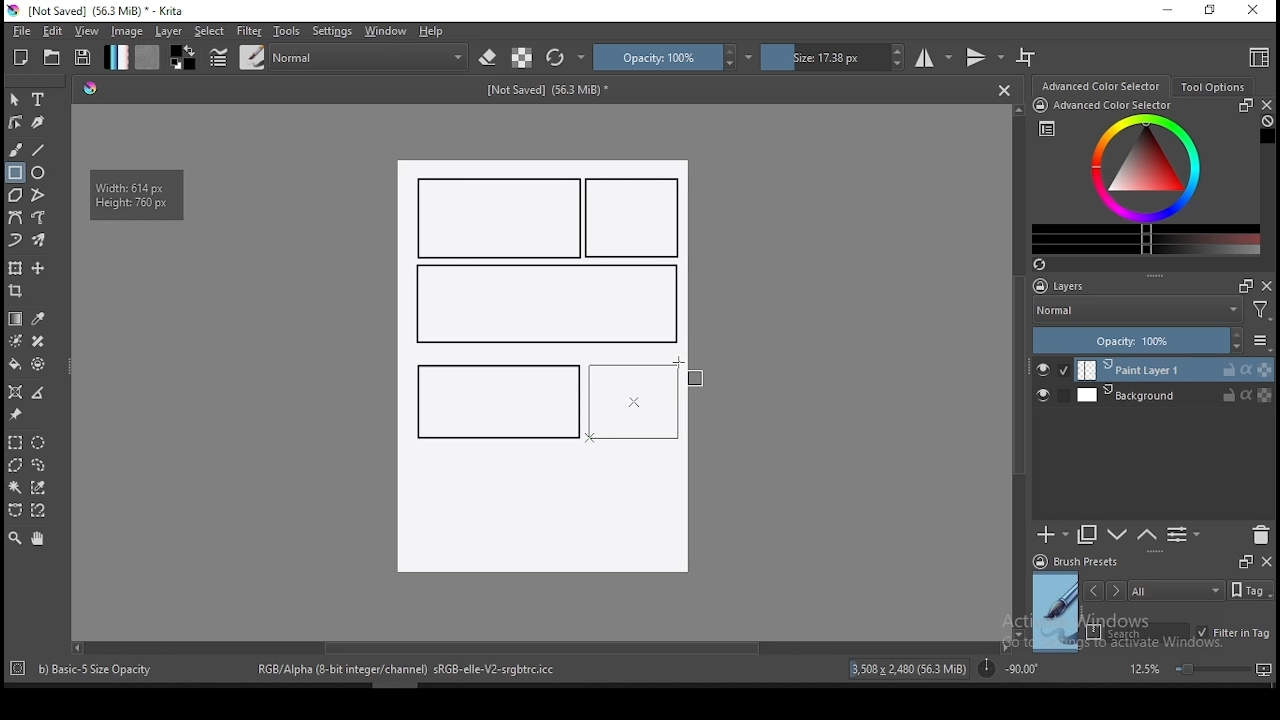 This screenshot has height=720, width=1280. Describe the element at coordinates (83, 58) in the screenshot. I see `save` at that location.